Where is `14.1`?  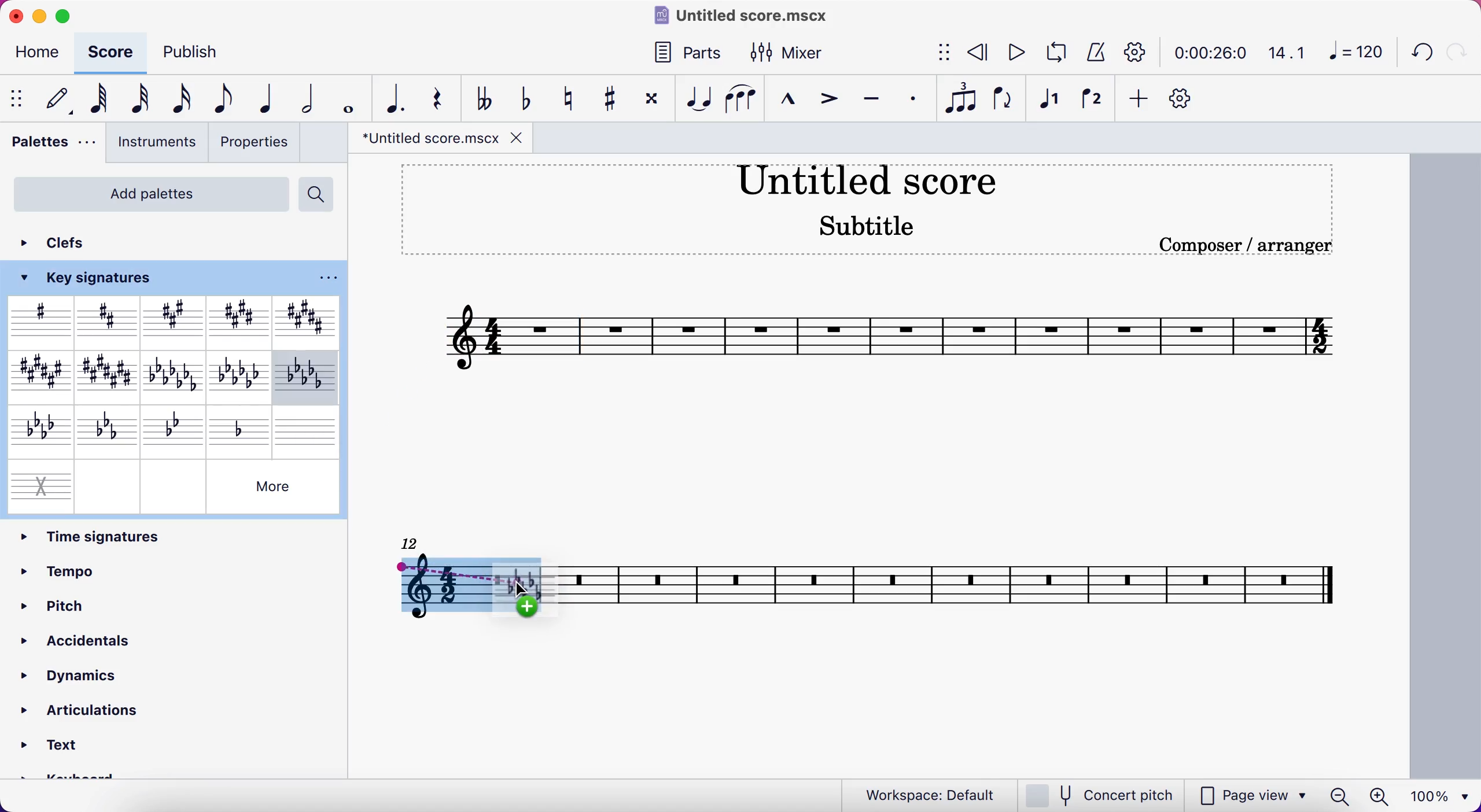
14.1 is located at coordinates (1287, 50).